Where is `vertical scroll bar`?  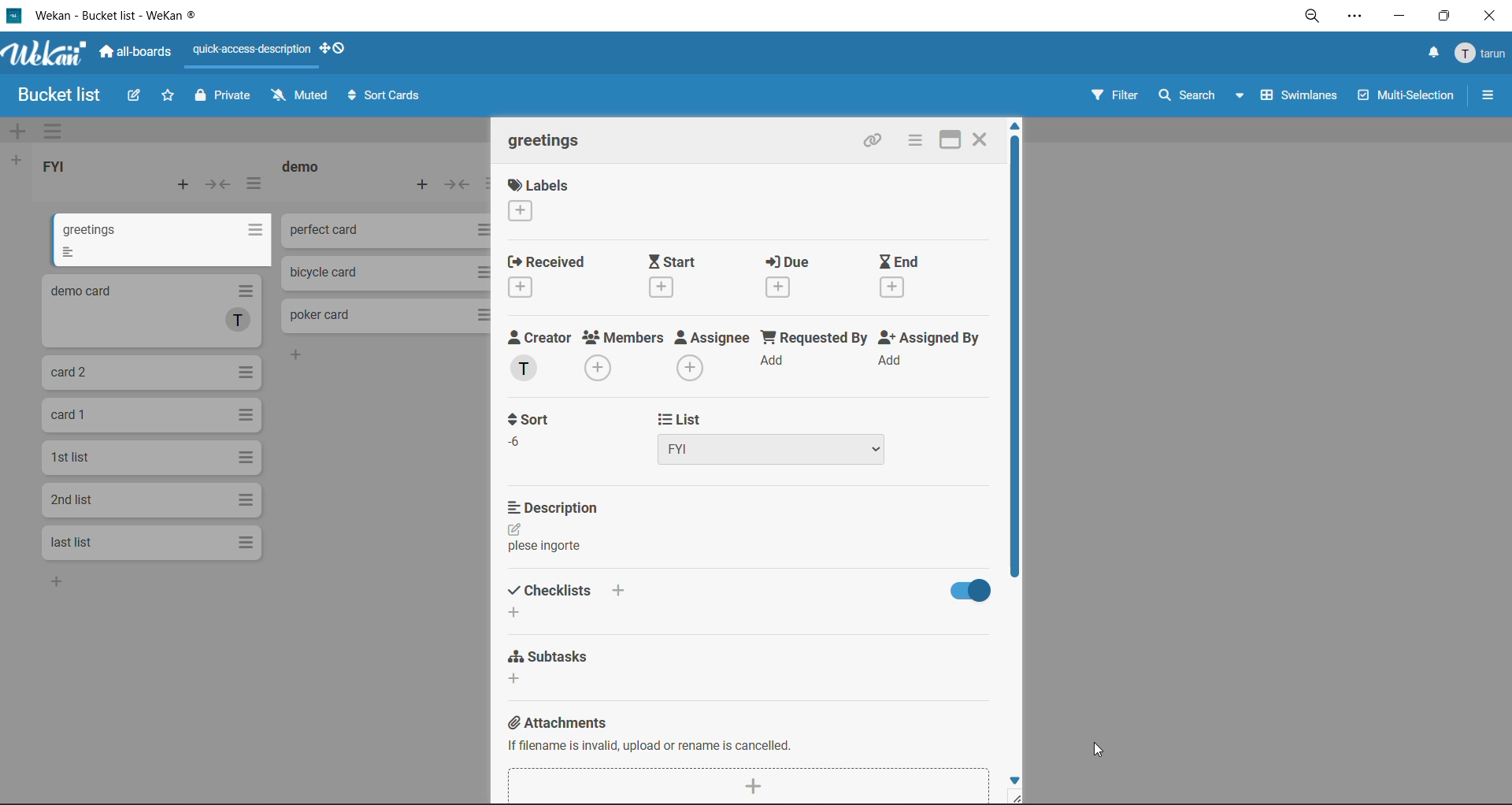
vertical scroll bar is located at coordinates (1014, 357).